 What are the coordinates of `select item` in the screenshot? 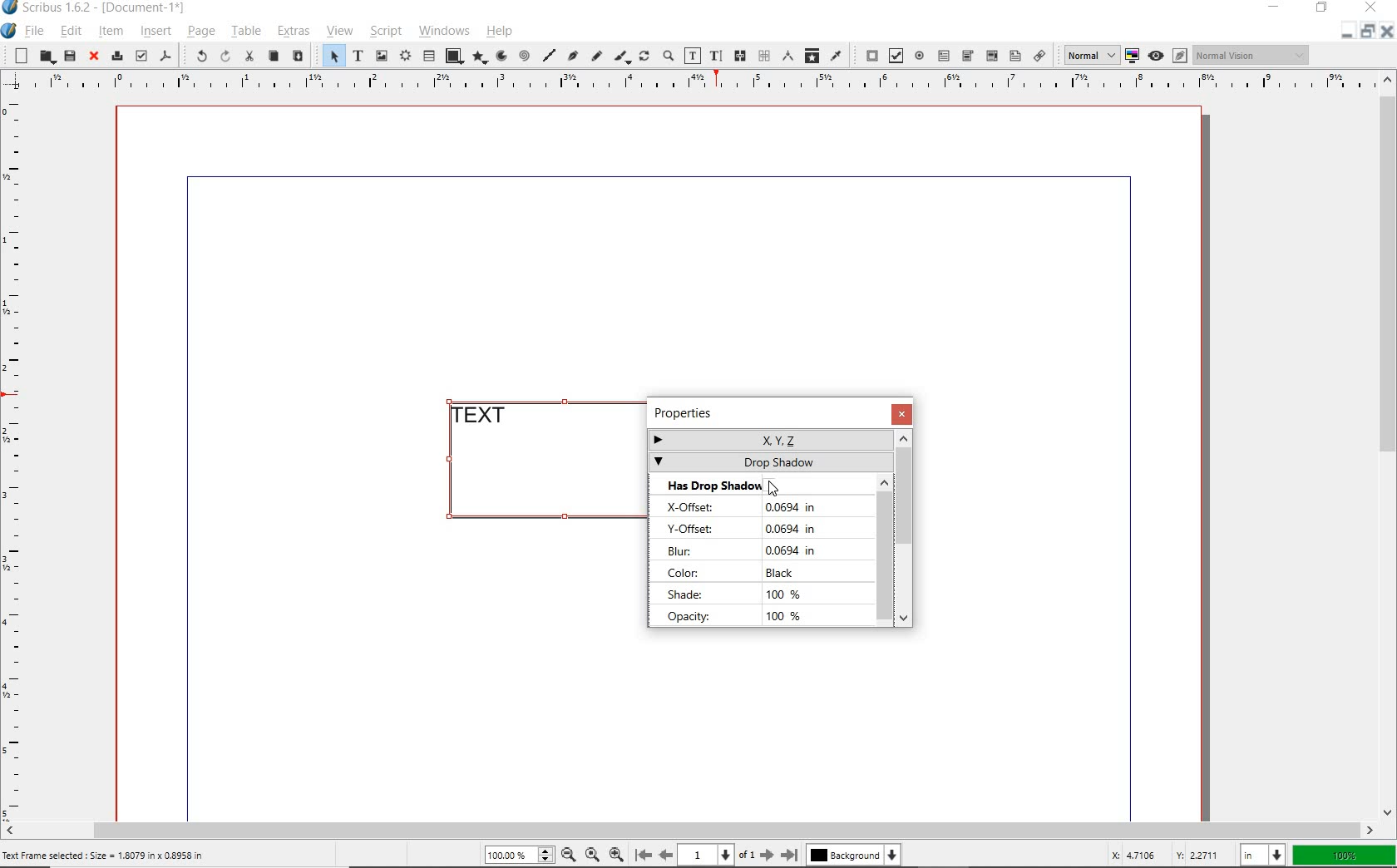 It's located at (332, 56).